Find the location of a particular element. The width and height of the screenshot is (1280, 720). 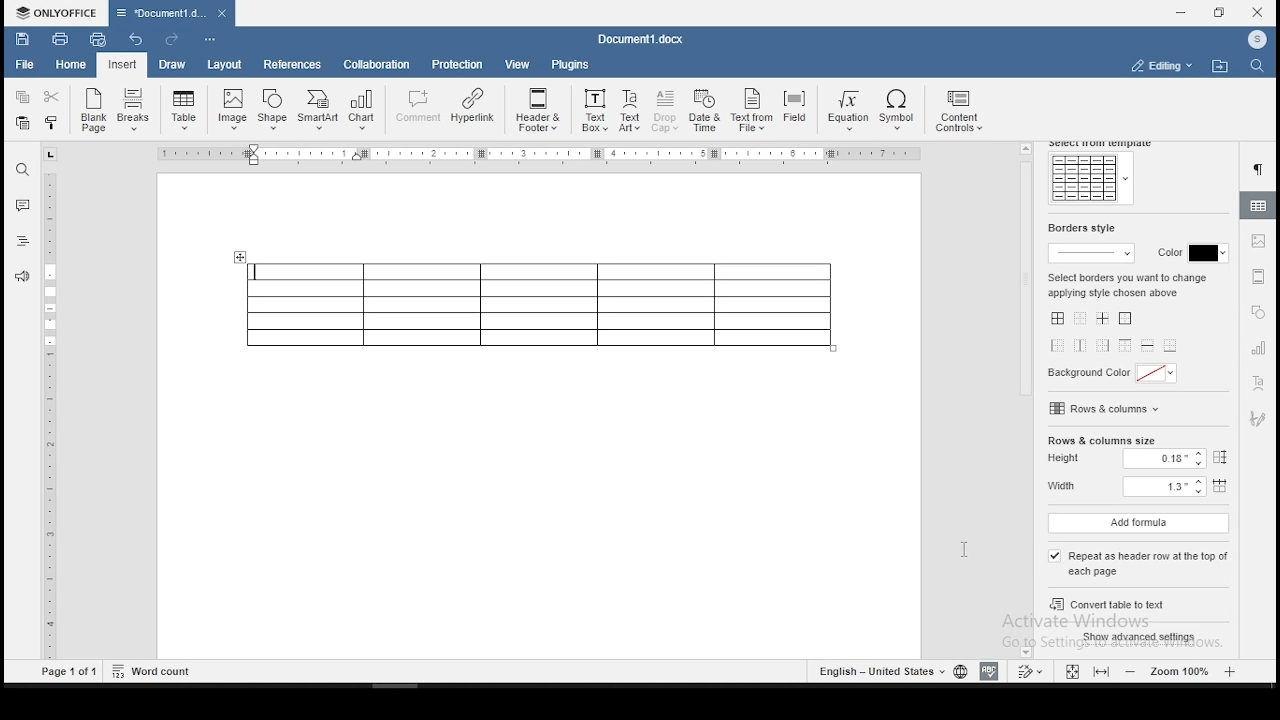

collaboration is located at coordinates (379, 67).